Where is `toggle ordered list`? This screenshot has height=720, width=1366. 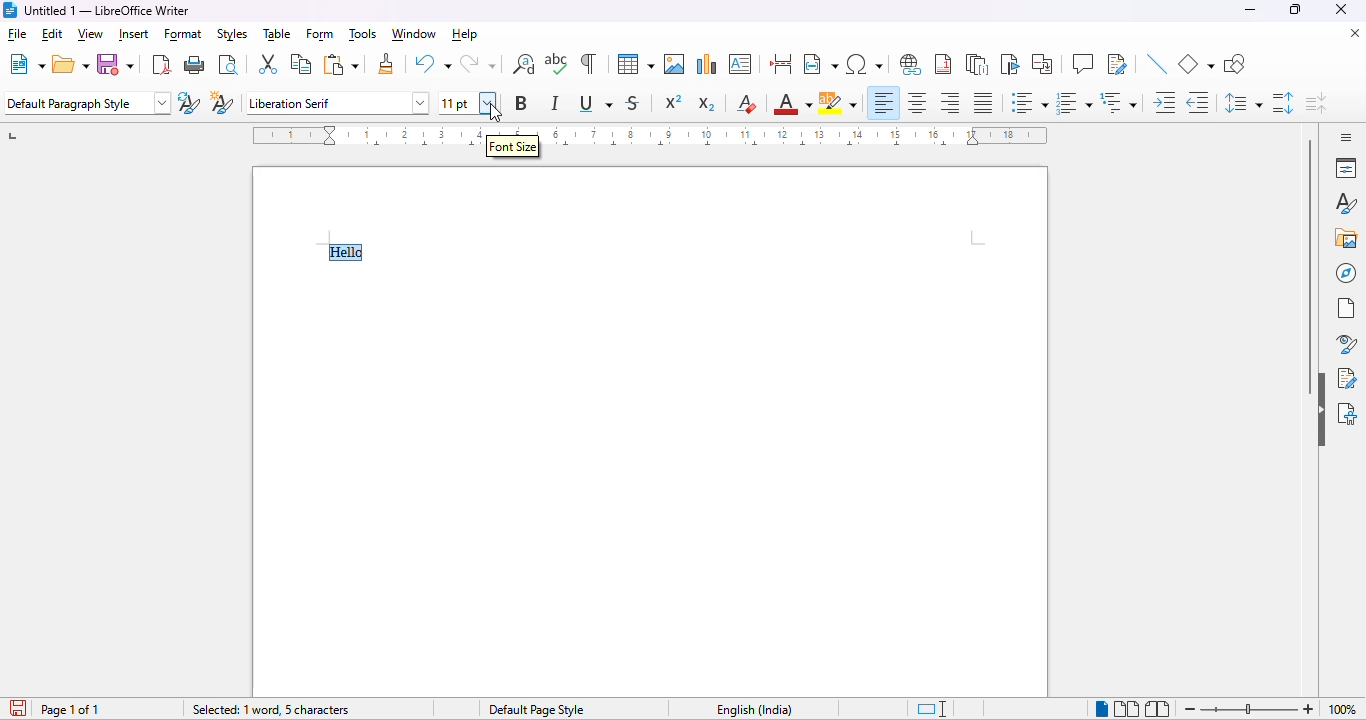
toggle ordered list is located at coordinates (1074, 102).